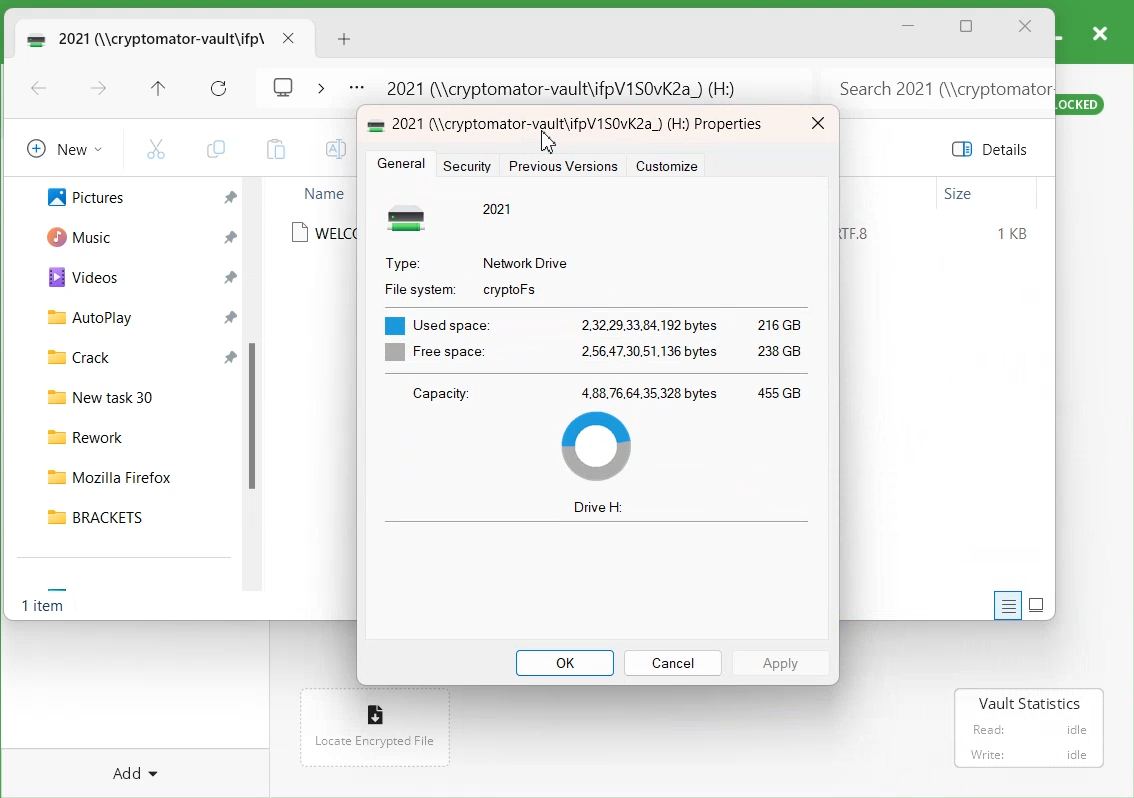 This screenshot has height=798, width=1134. I want to click on Vault Statistics, so click(1032, 703).